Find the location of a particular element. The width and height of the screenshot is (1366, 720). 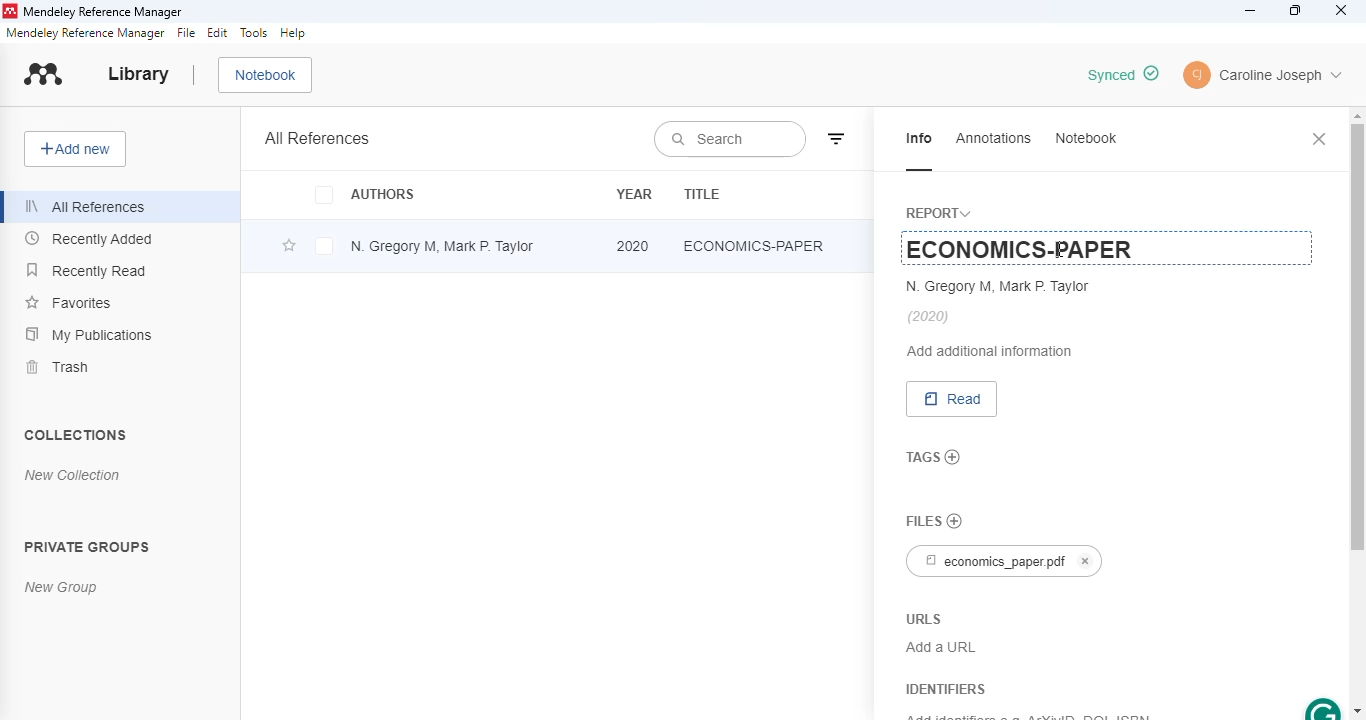

annotations is located at coordinates (995, 138).